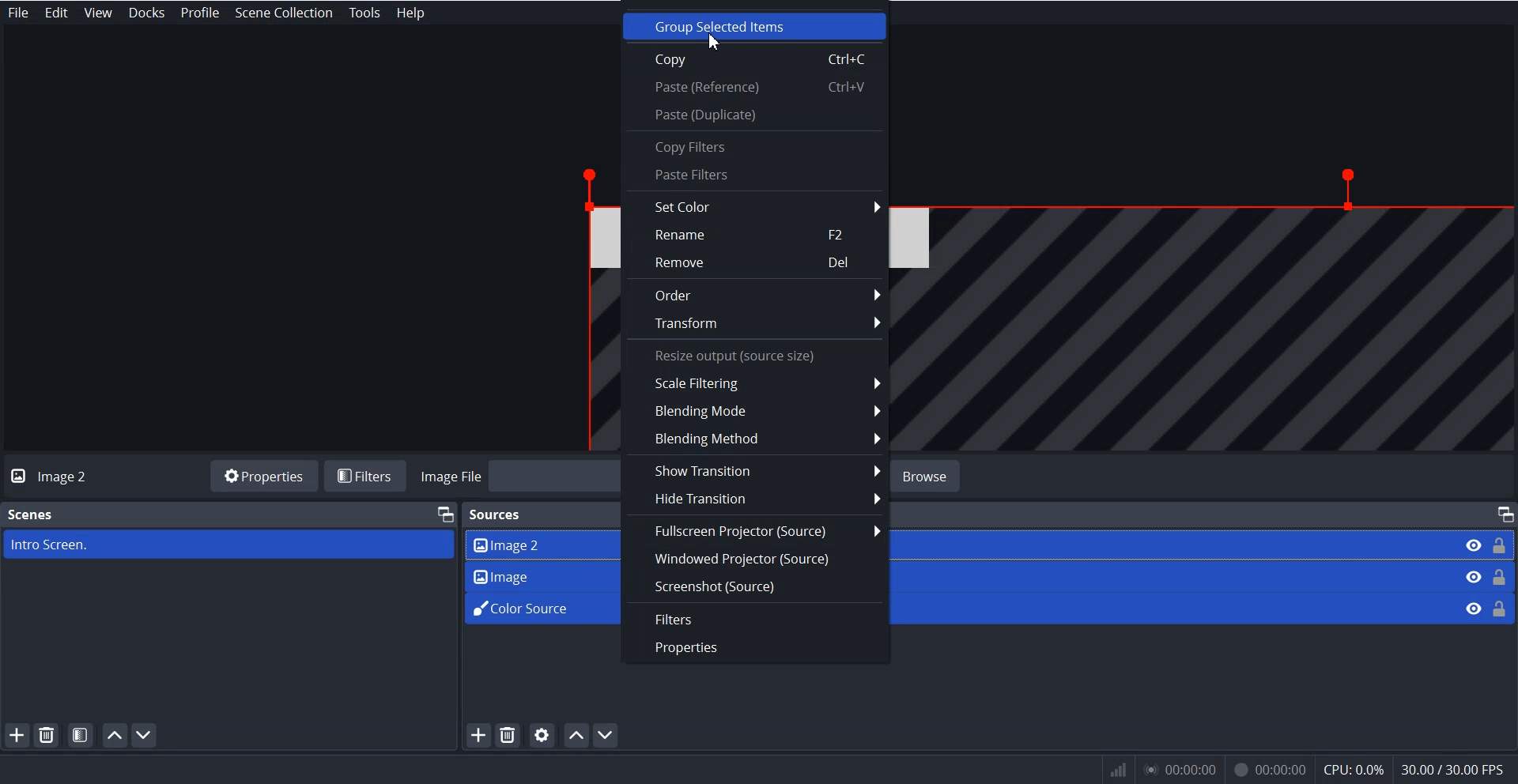 This screenshot has height=784, width=1518. I want to click on Move Scene down, so click(147, 735).